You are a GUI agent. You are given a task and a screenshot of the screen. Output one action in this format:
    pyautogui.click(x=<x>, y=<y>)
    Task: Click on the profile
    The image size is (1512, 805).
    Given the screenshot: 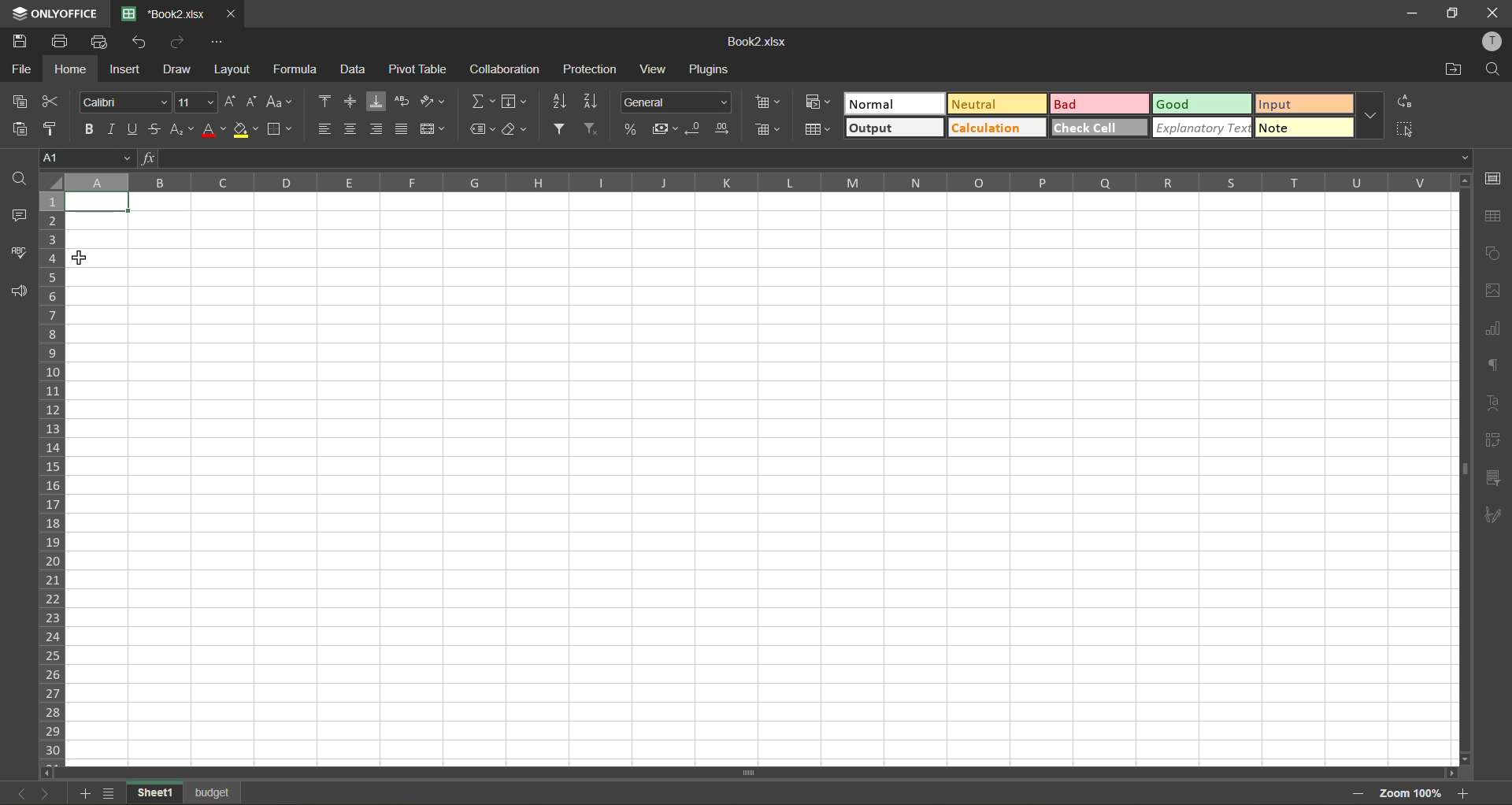 What is the action you would take?
    pyautogui.click(x=1490, y=43)
    